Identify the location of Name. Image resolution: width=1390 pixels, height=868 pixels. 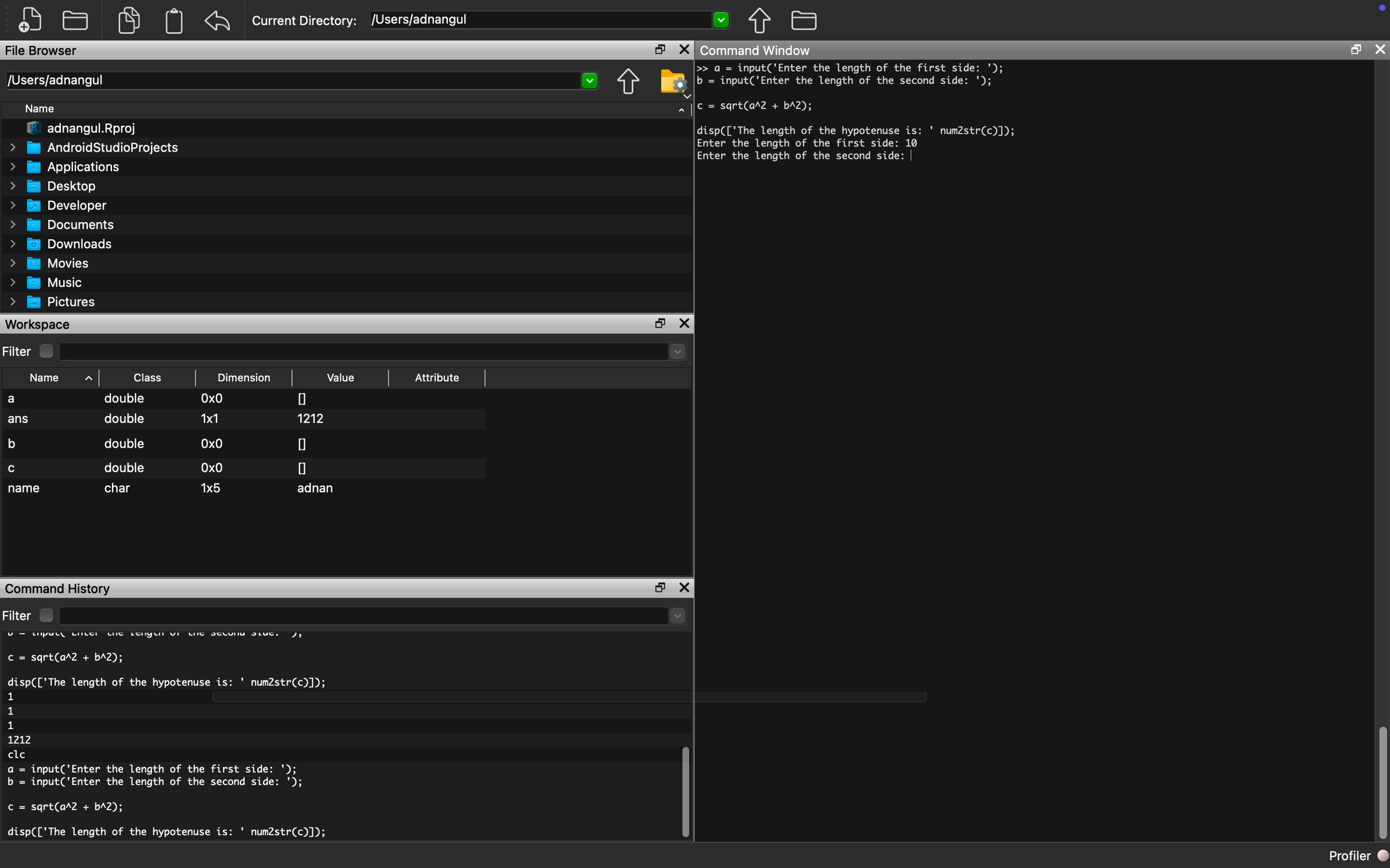
(54, 377).